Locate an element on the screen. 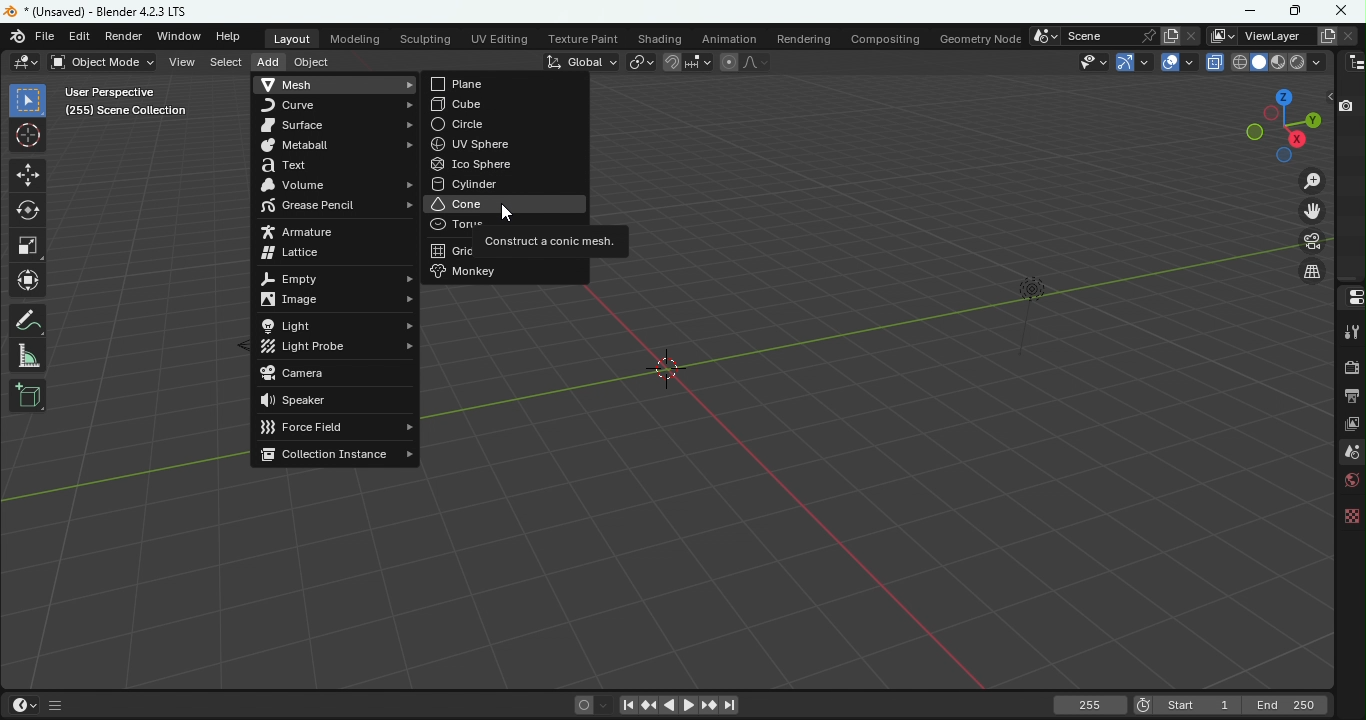 The image size is (1366, 720). Proportional editing falloff is located at coordinates (754, 63).